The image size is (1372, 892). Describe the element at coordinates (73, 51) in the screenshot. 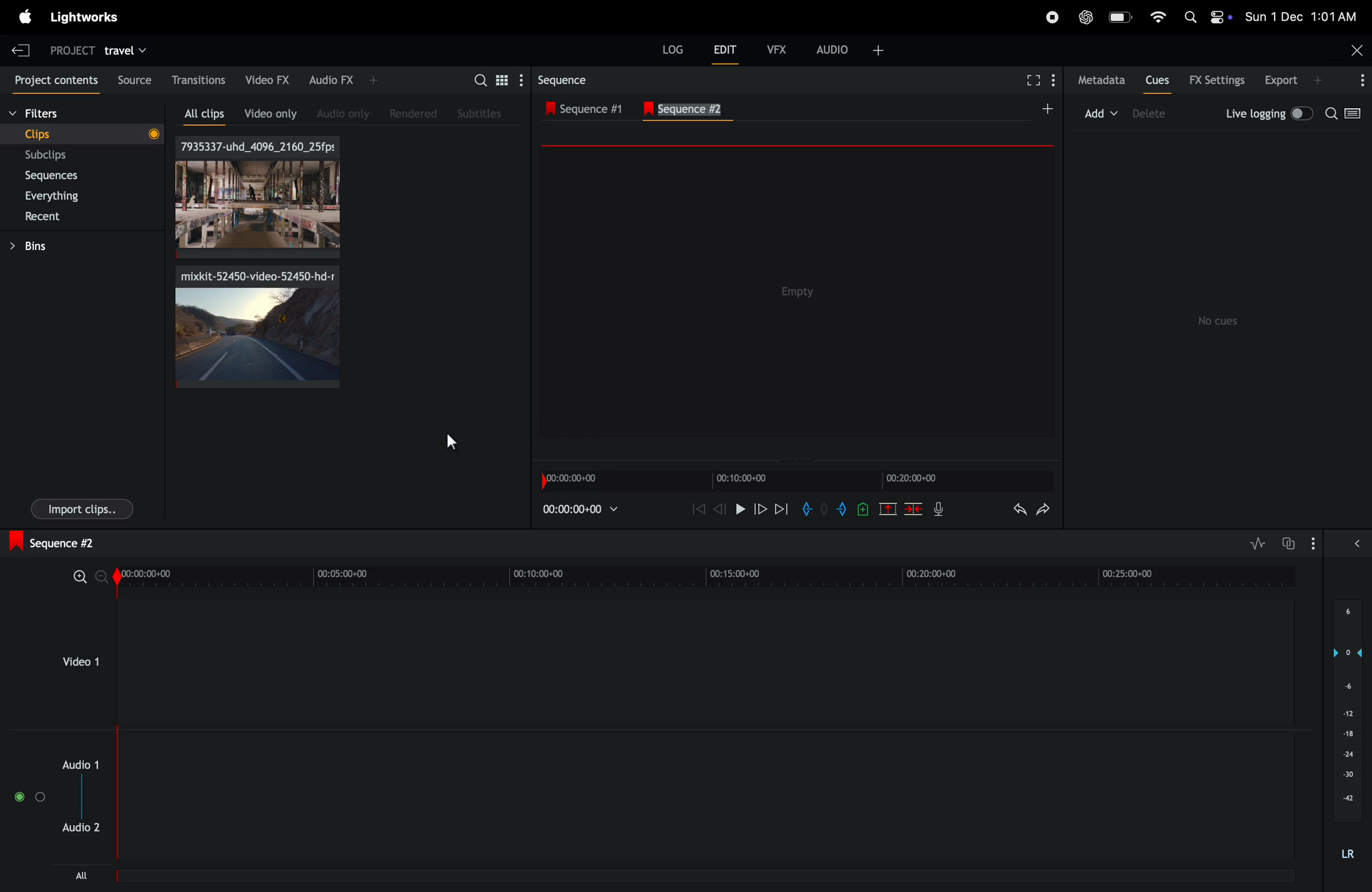

I see `project` at that location.